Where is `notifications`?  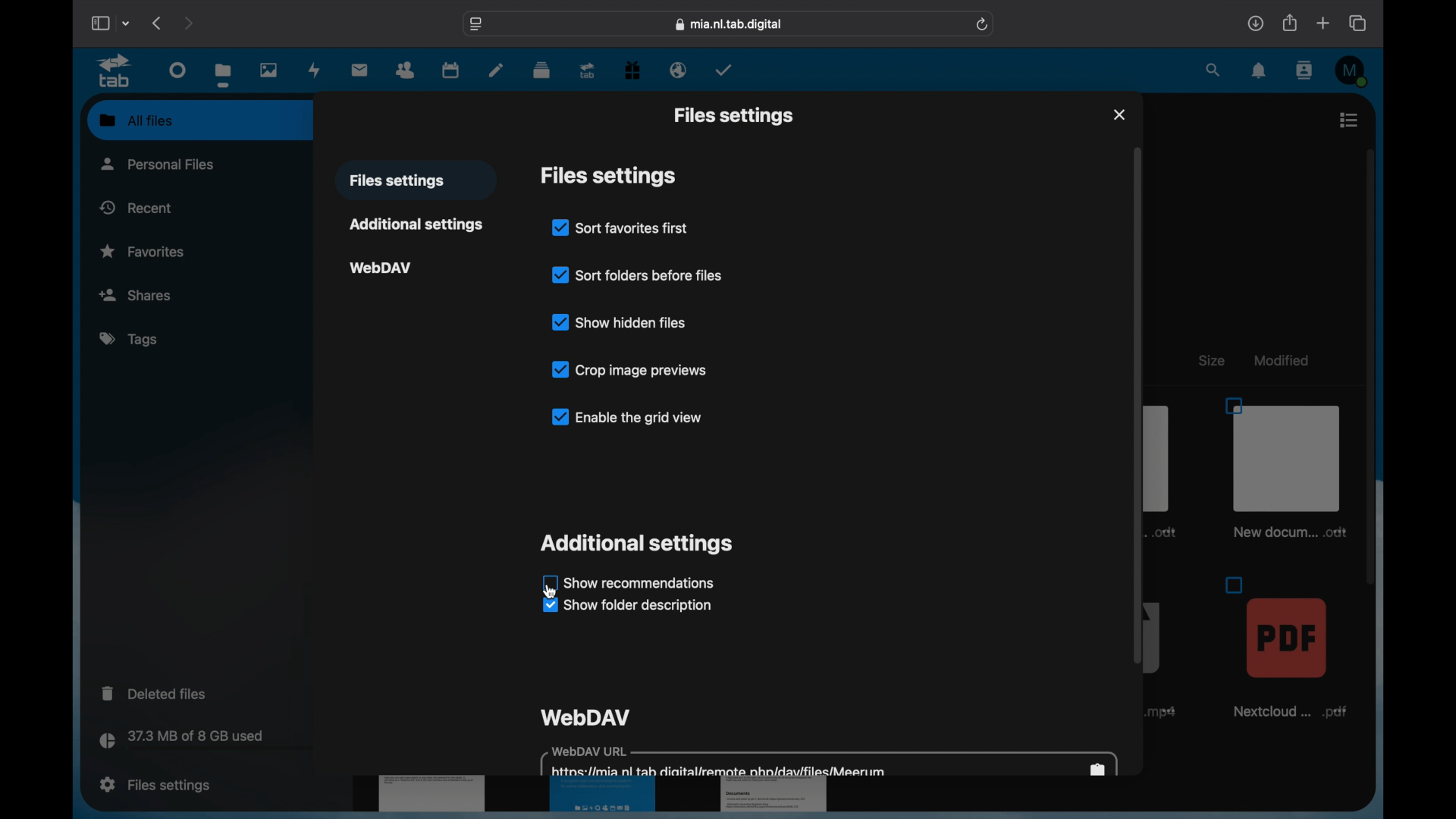
notifications is located at coordinates (1259, 71).